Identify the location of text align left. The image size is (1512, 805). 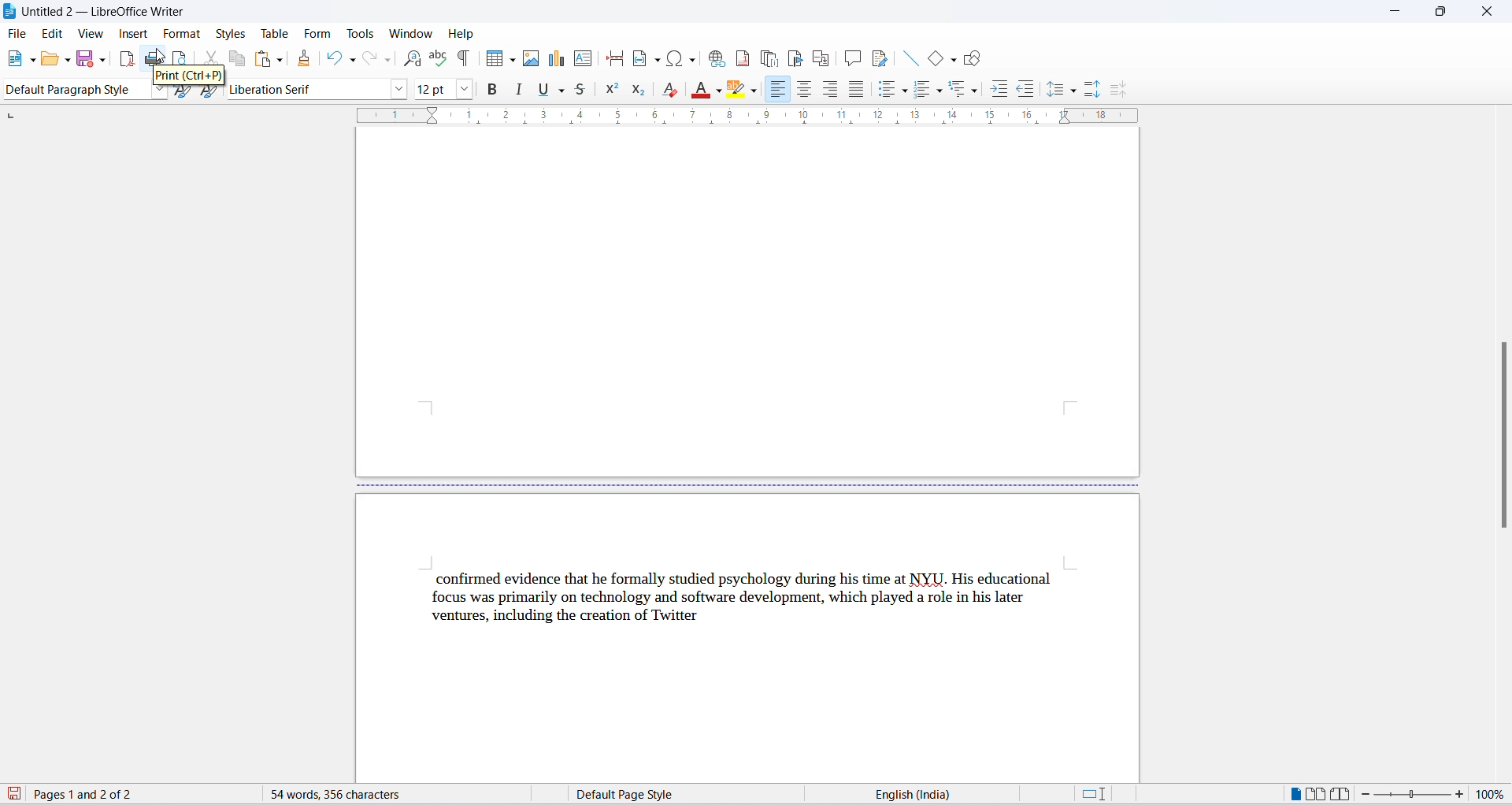
(781, 89).